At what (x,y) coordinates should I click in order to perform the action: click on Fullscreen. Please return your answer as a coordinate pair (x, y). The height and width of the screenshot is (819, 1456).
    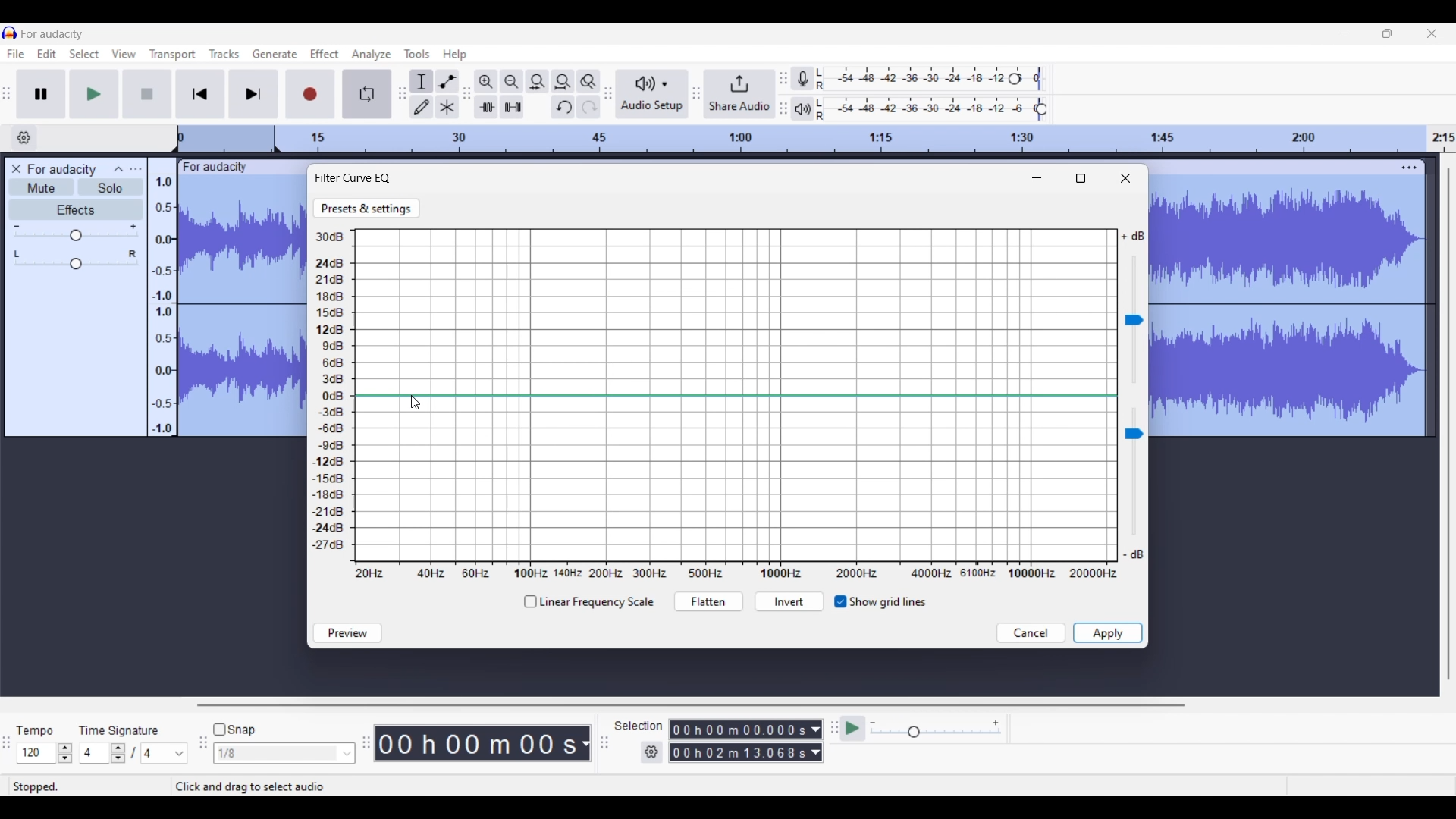
    Looking at the image, I should click on (1081, 178).